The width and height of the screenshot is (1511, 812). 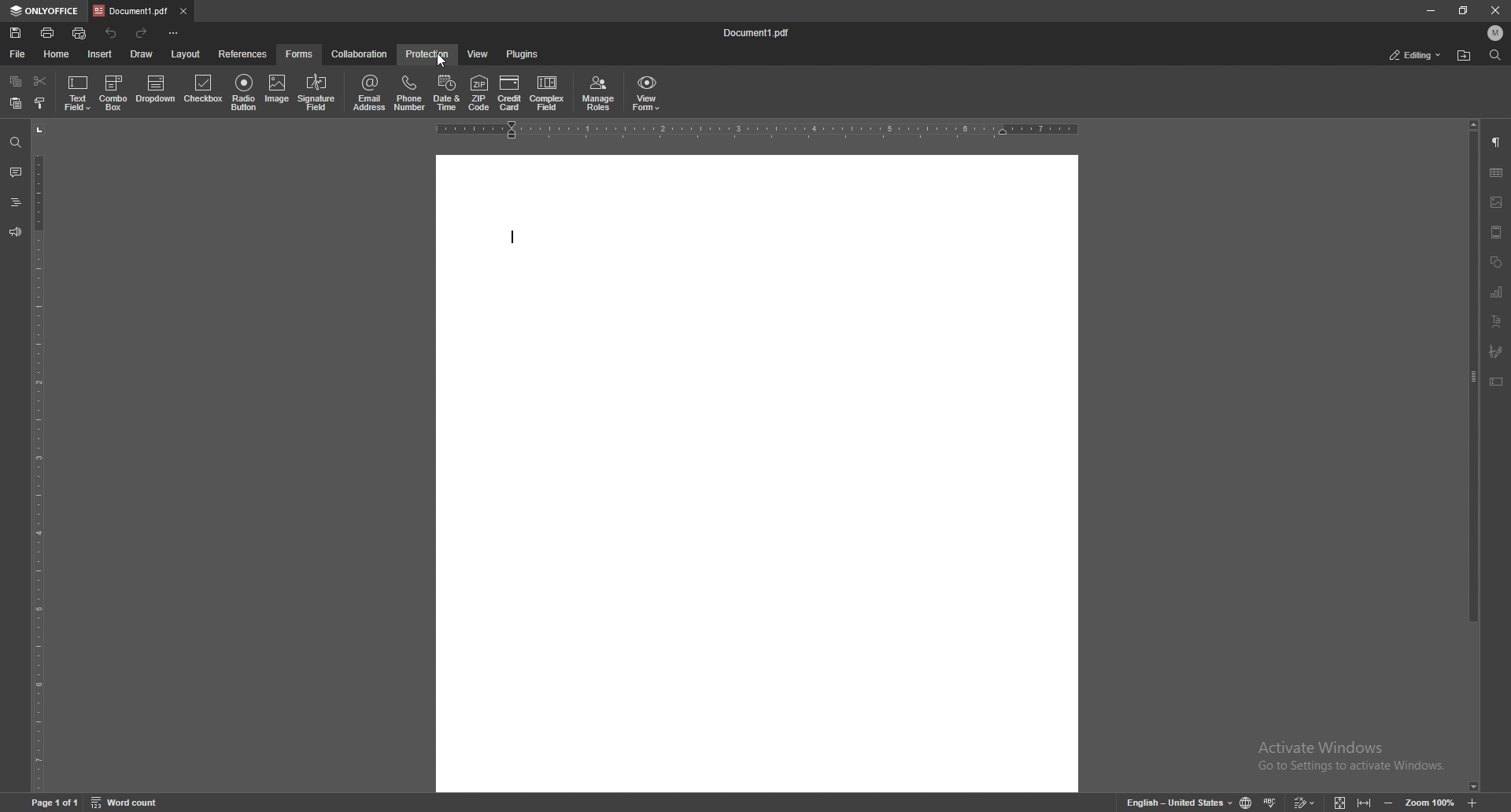 What do you see at coordinates (448, 92) in the screenshot?
I see `date and time` at bounding box center [448, 92].